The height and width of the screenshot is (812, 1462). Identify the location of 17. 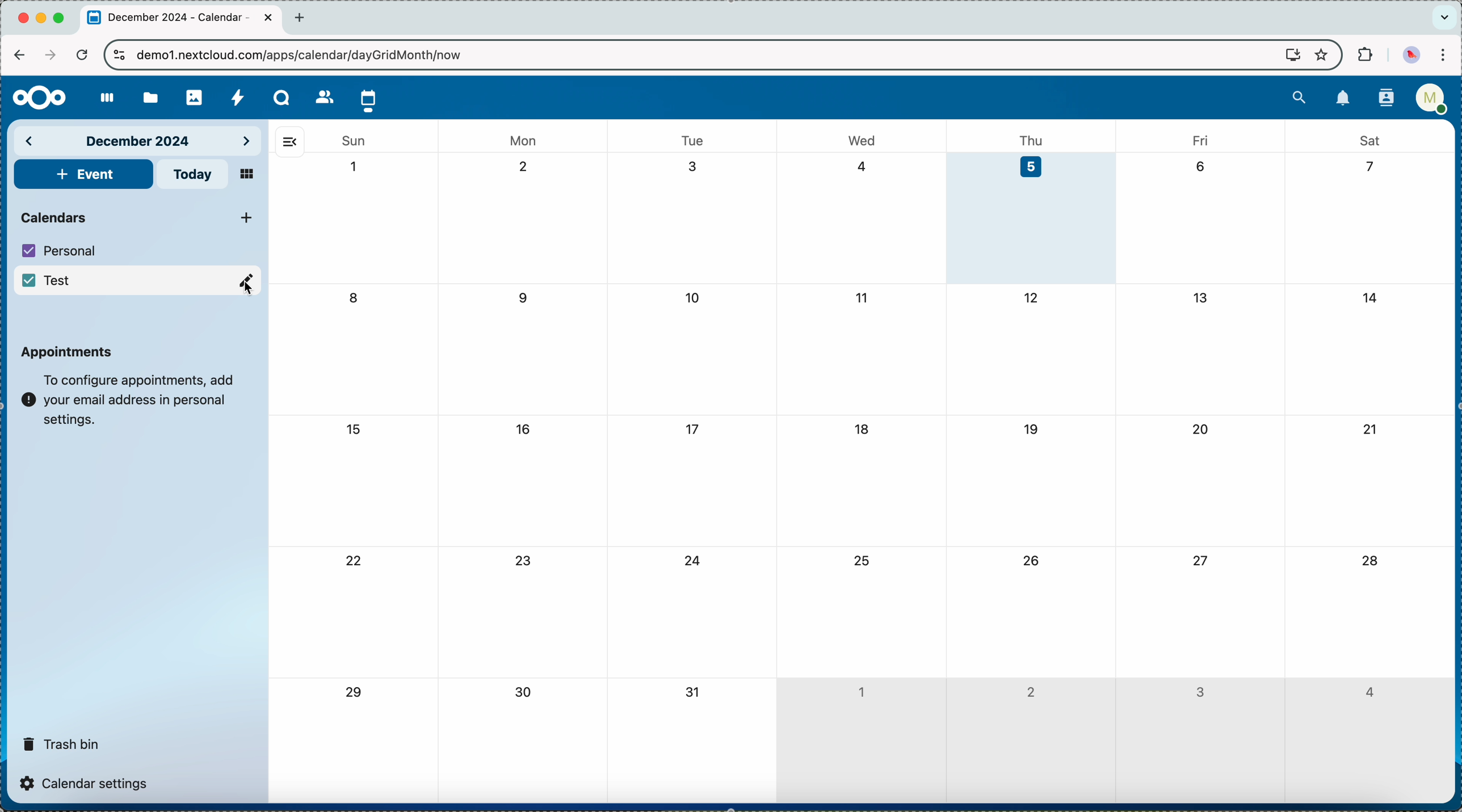
(694, 430).